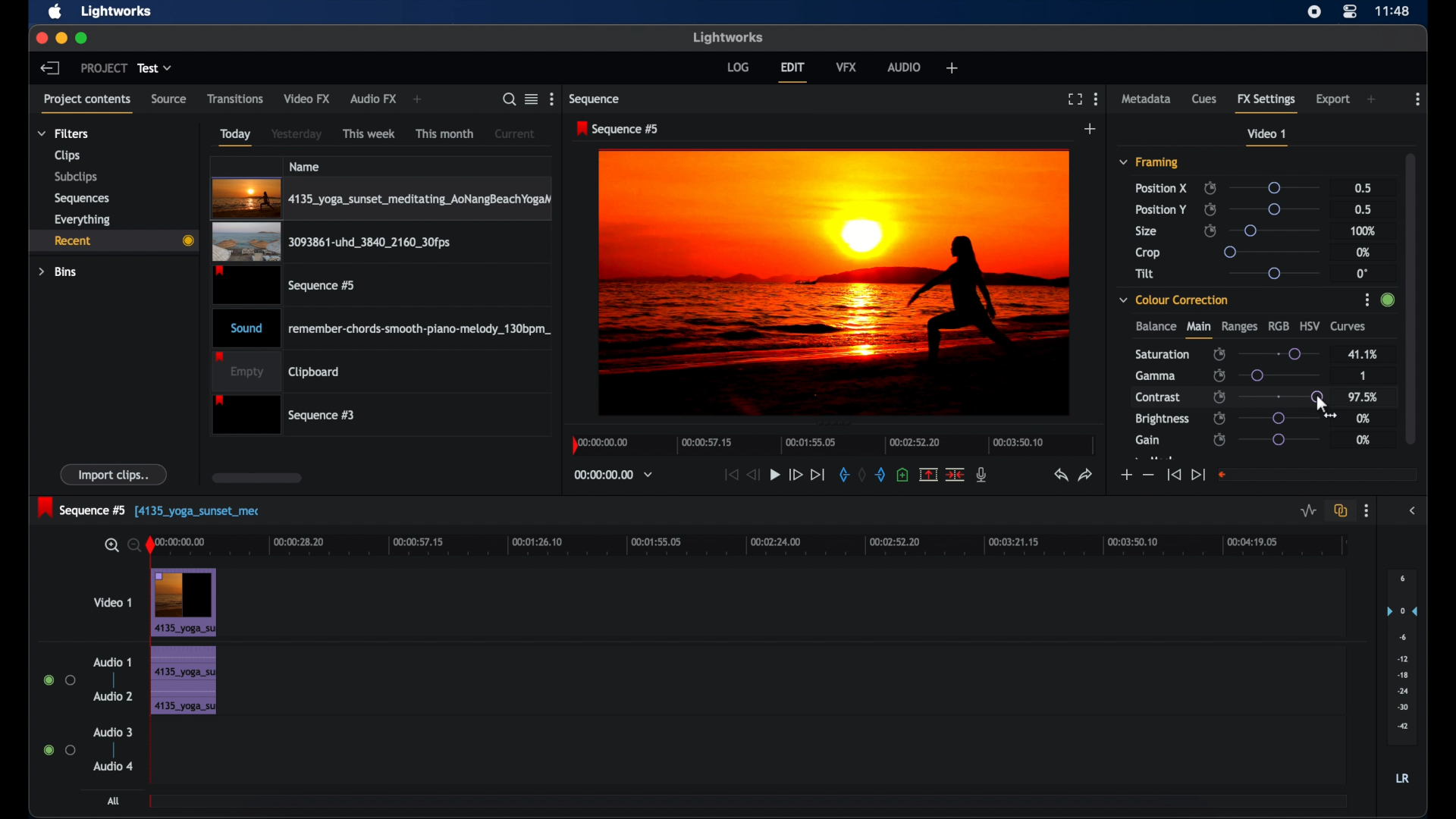  I want to click on slider, so click(1273, 251).